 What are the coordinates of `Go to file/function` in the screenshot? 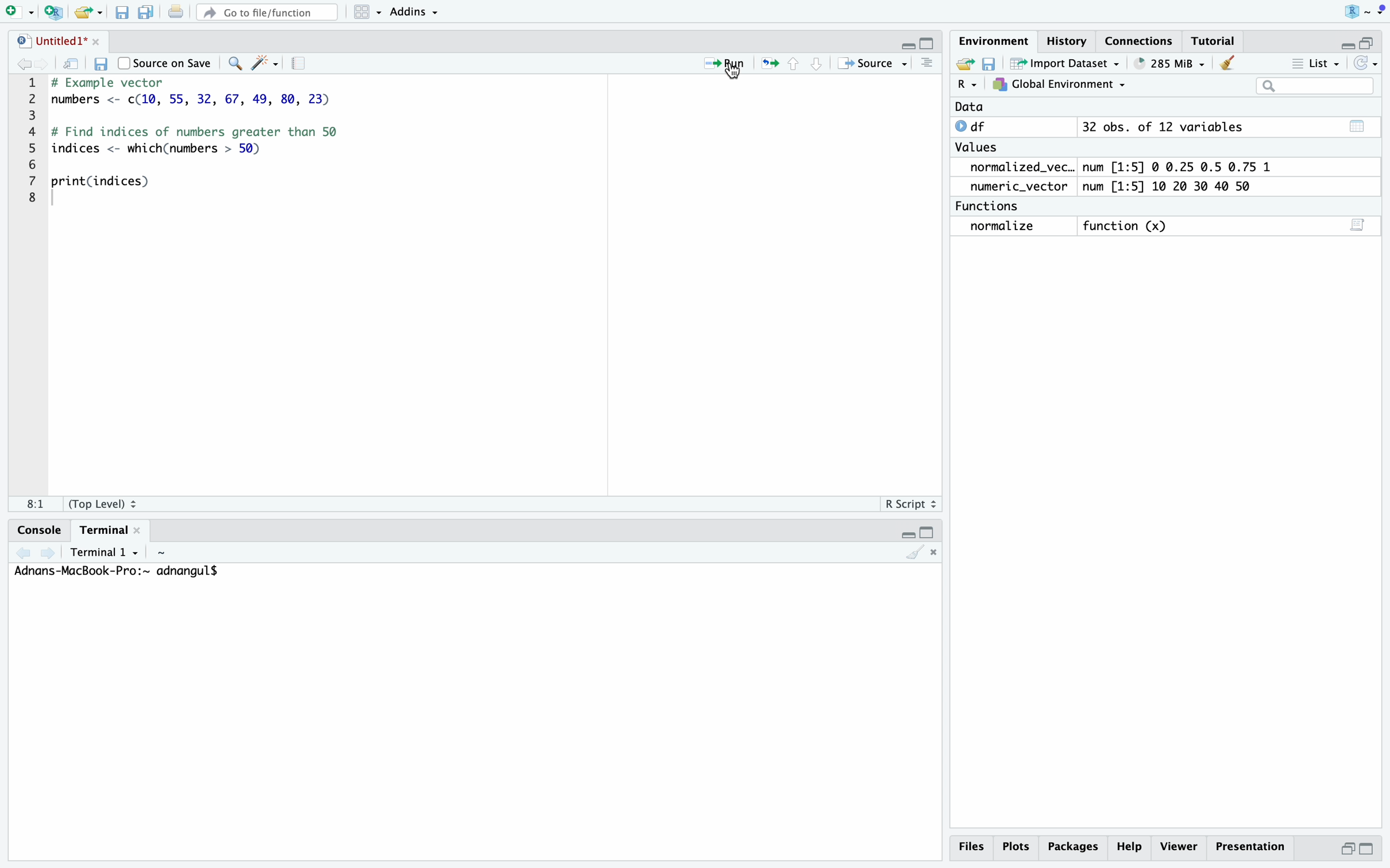 It's located at (265, 13).